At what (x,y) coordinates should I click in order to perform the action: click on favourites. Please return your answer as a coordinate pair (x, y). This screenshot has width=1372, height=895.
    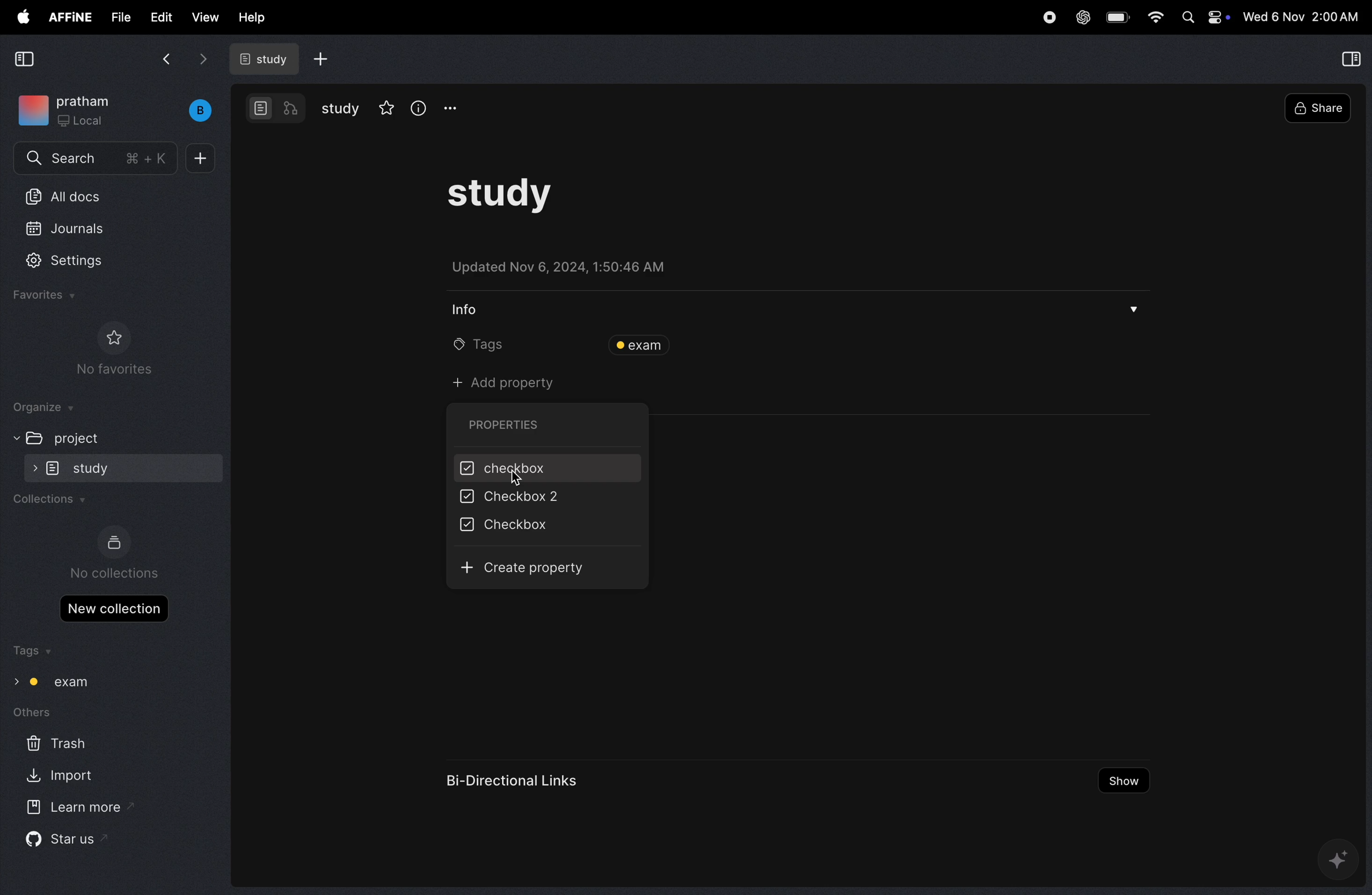
    Looking at the image, I should click on (388, 108).